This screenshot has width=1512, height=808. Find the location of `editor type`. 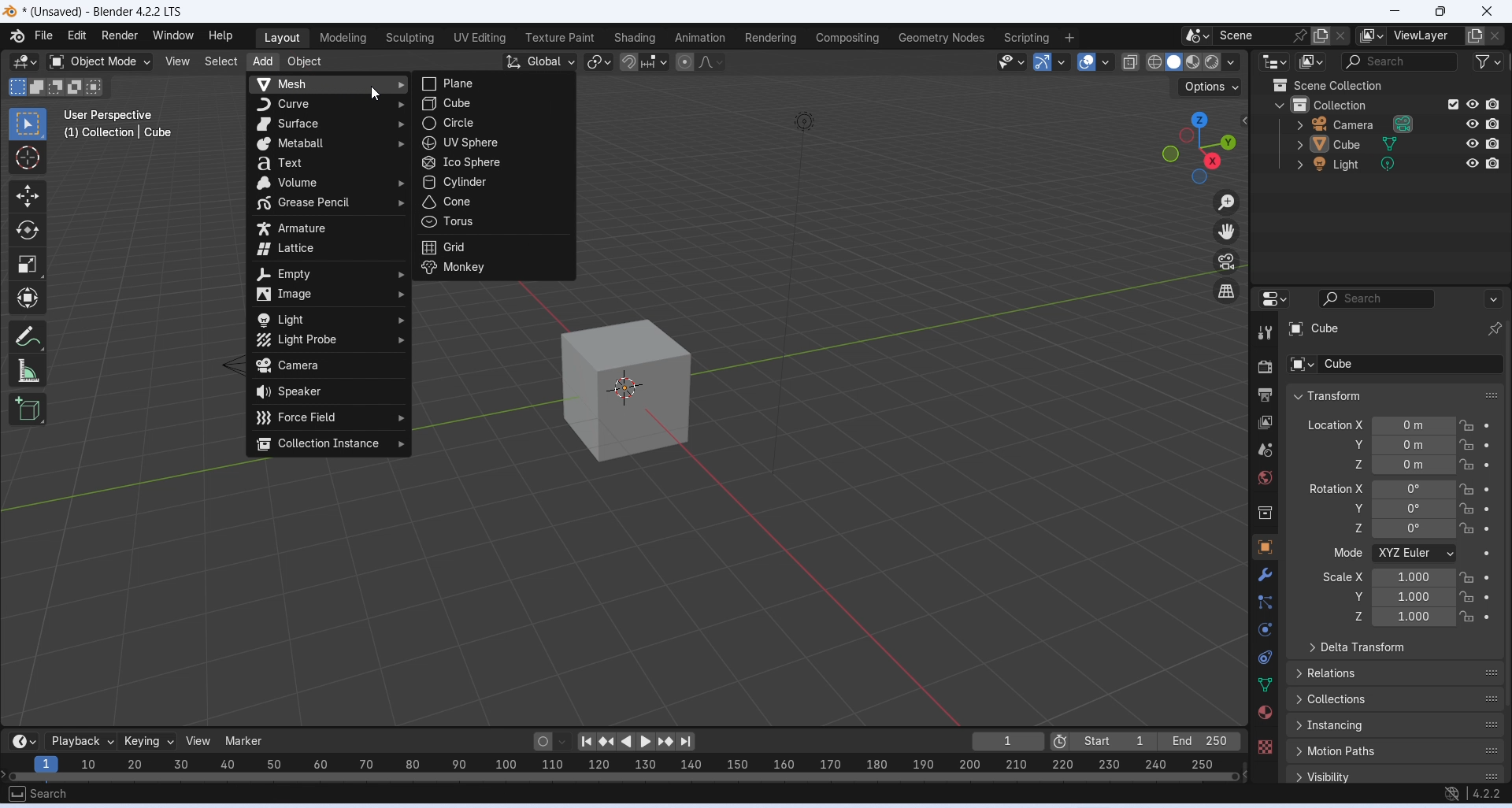

editor type is located at coordinates (1277, 61).